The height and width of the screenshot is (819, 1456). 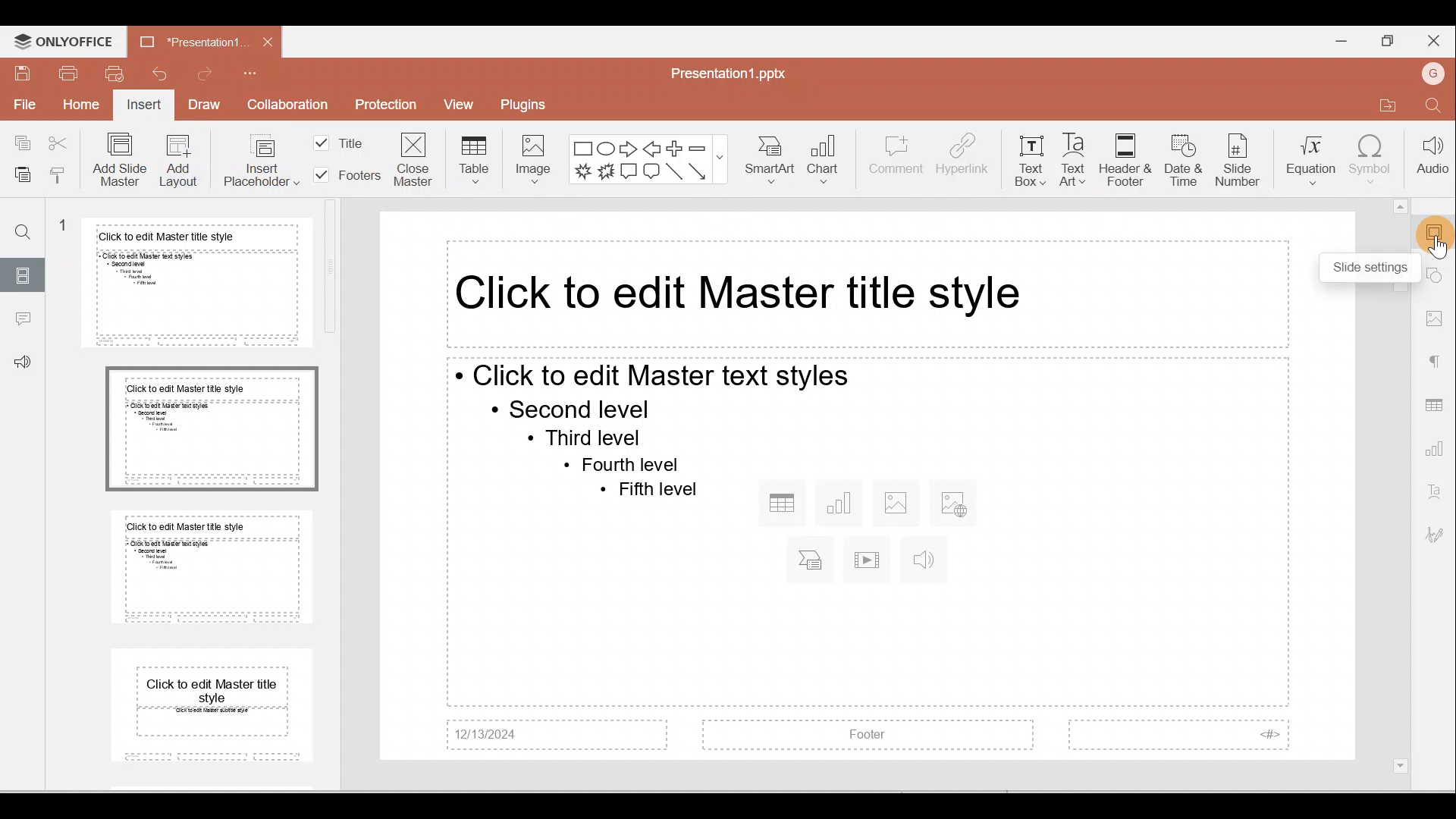 What do you see at coordinates (1124, 159) in the screenshot?
I see `Header & footer` at bounding box center [1124, 159].